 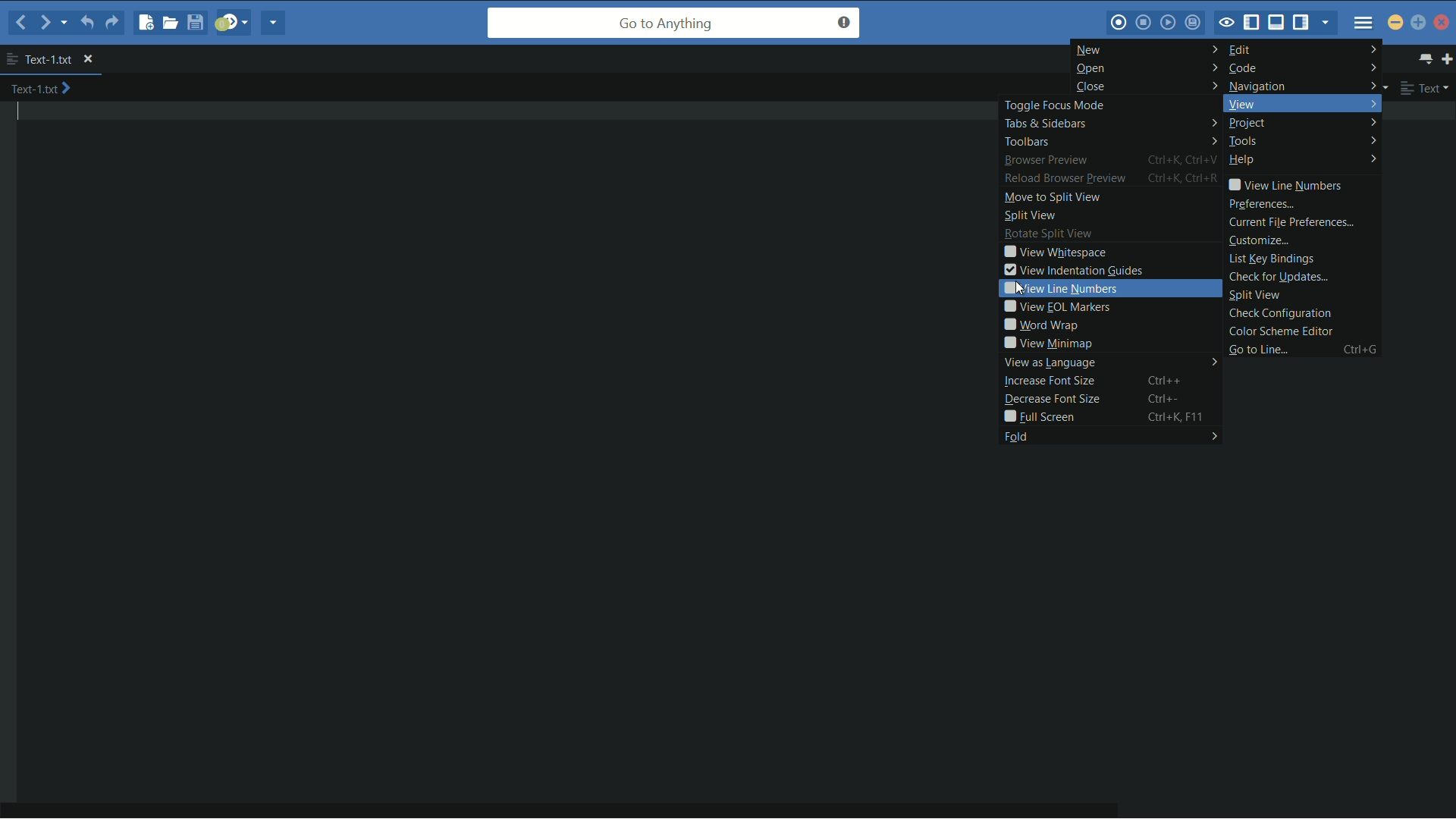 I want to click on decrease font size, so click(x=1050, y=399).